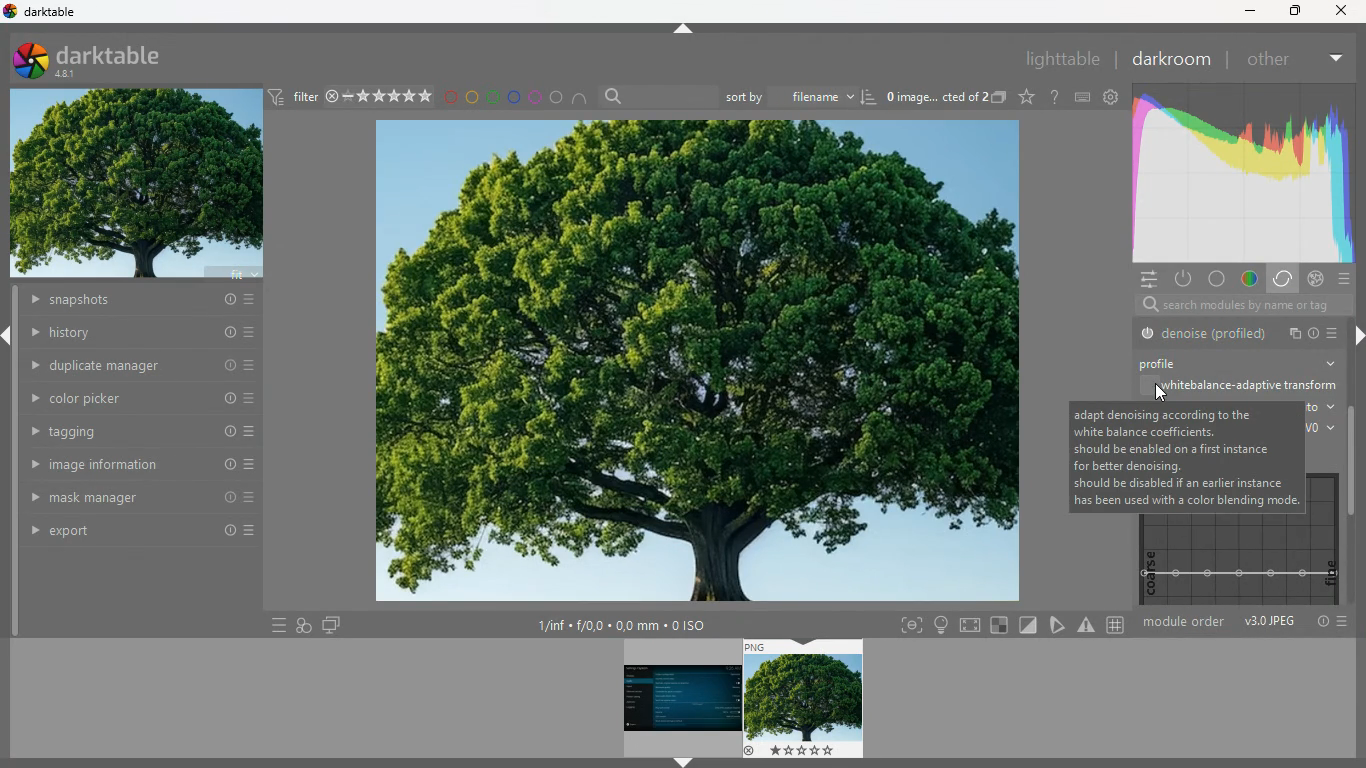  Describe the element at coordinates (131, 464) in the screenshot. I see `image information` at that location.